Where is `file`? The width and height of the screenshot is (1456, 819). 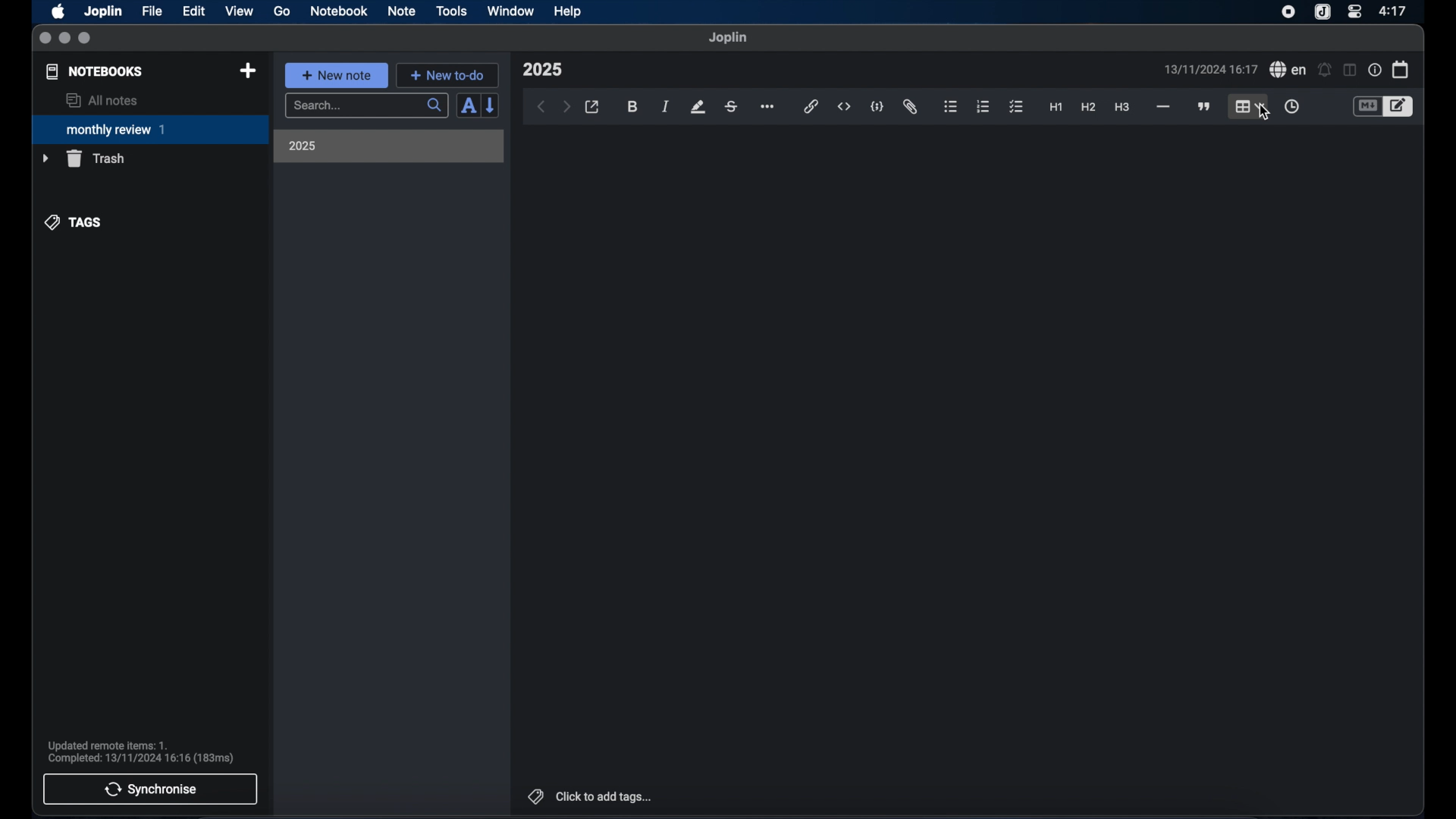 file is located at coordinates (152, 11).